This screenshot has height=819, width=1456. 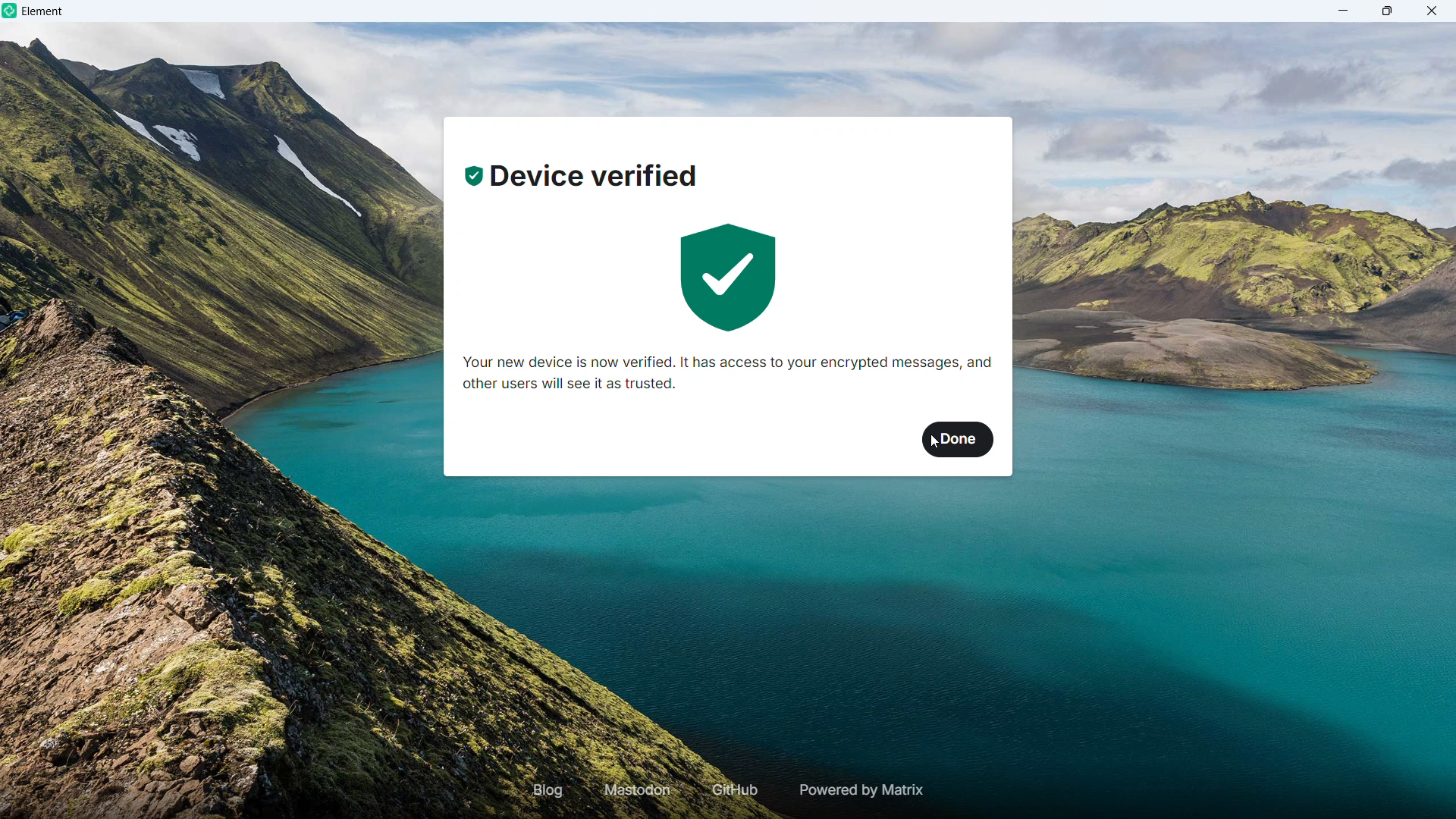 I want to click on maximize, so click(x=1388, y=11).